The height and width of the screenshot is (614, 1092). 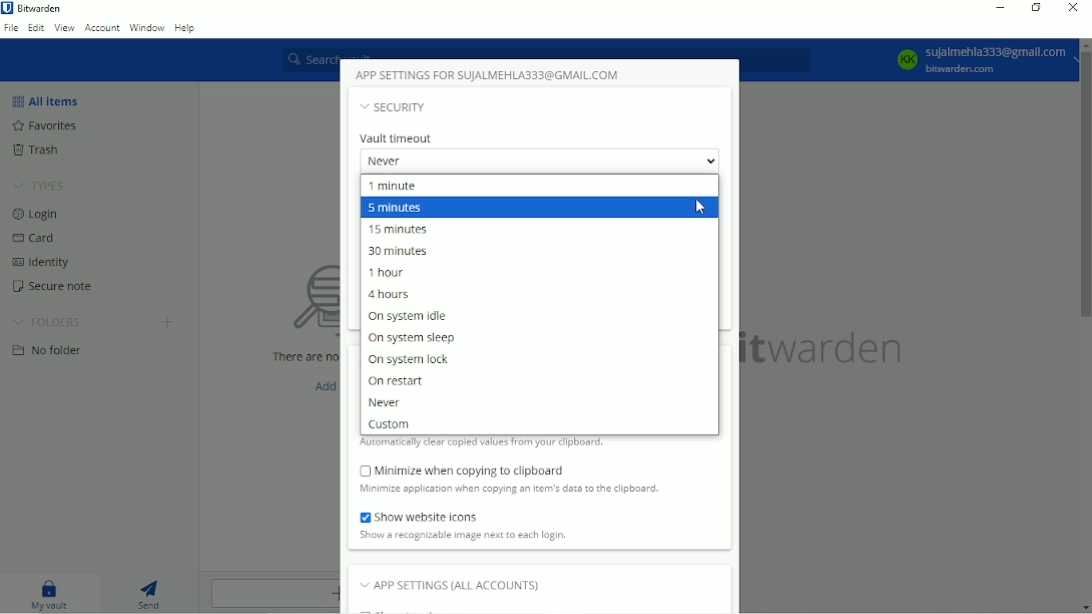 I want to click on Window, so click(x=147, y=26).